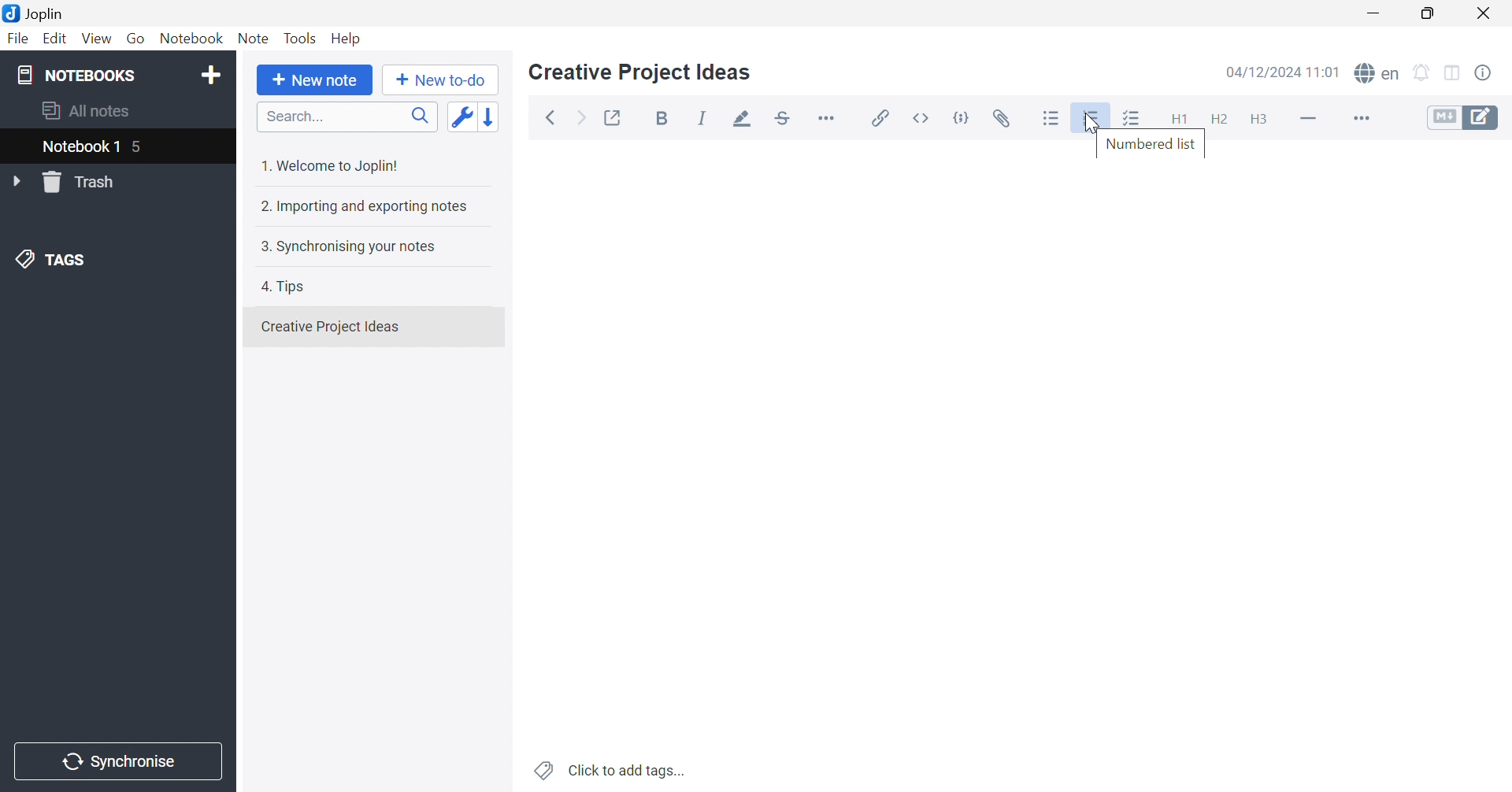 The width and height of the screenshot is (1512, 792). What do you see at coordinates (607, 770) in the screenshot?
I see `Click to add tags` at bounding box center [607, 770].